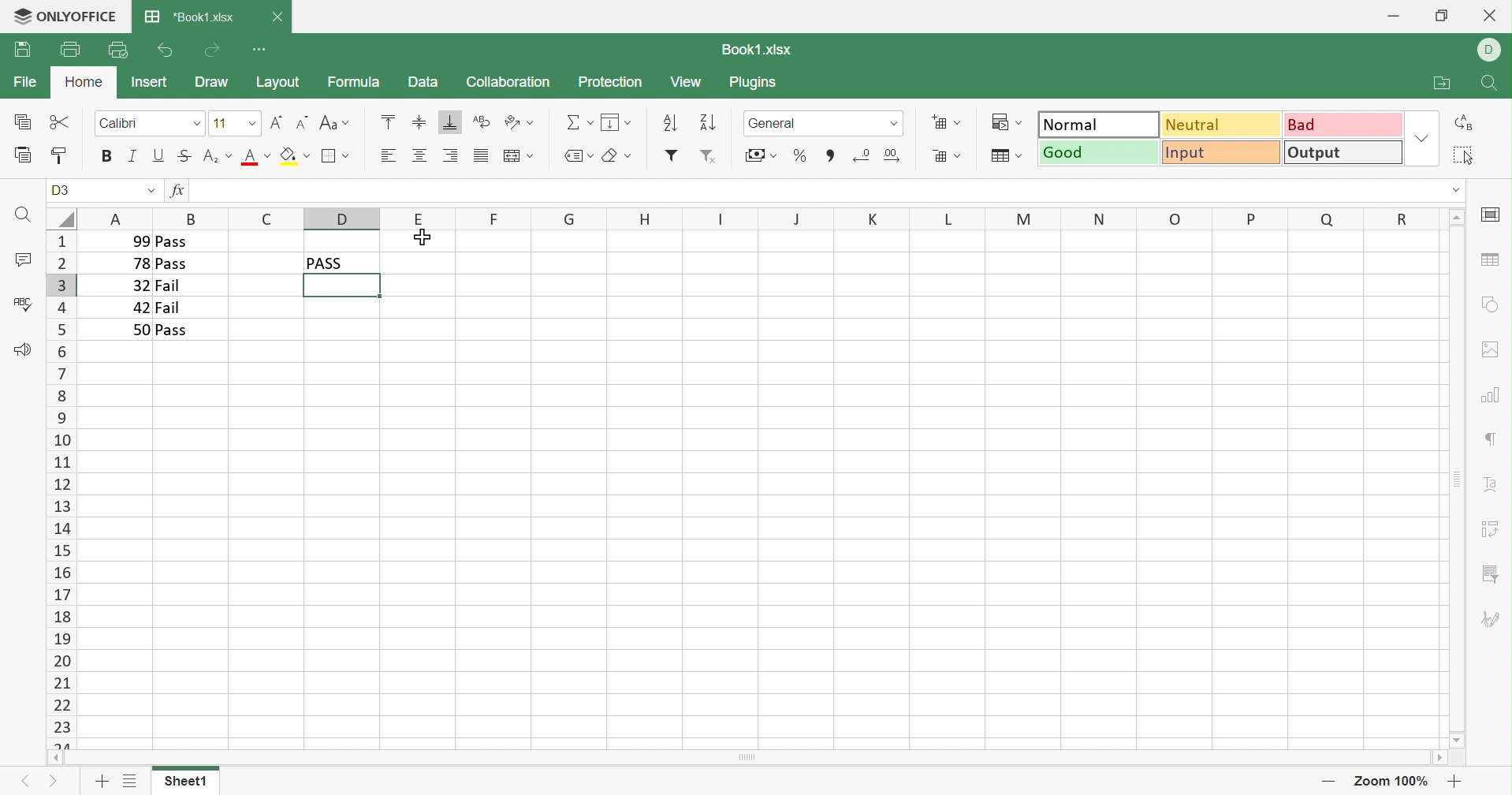 The height and width of the screenshot is (795, 1512). Describe the element at coordinates (618, 156) in the screenshot. I see `Clear` at that location.